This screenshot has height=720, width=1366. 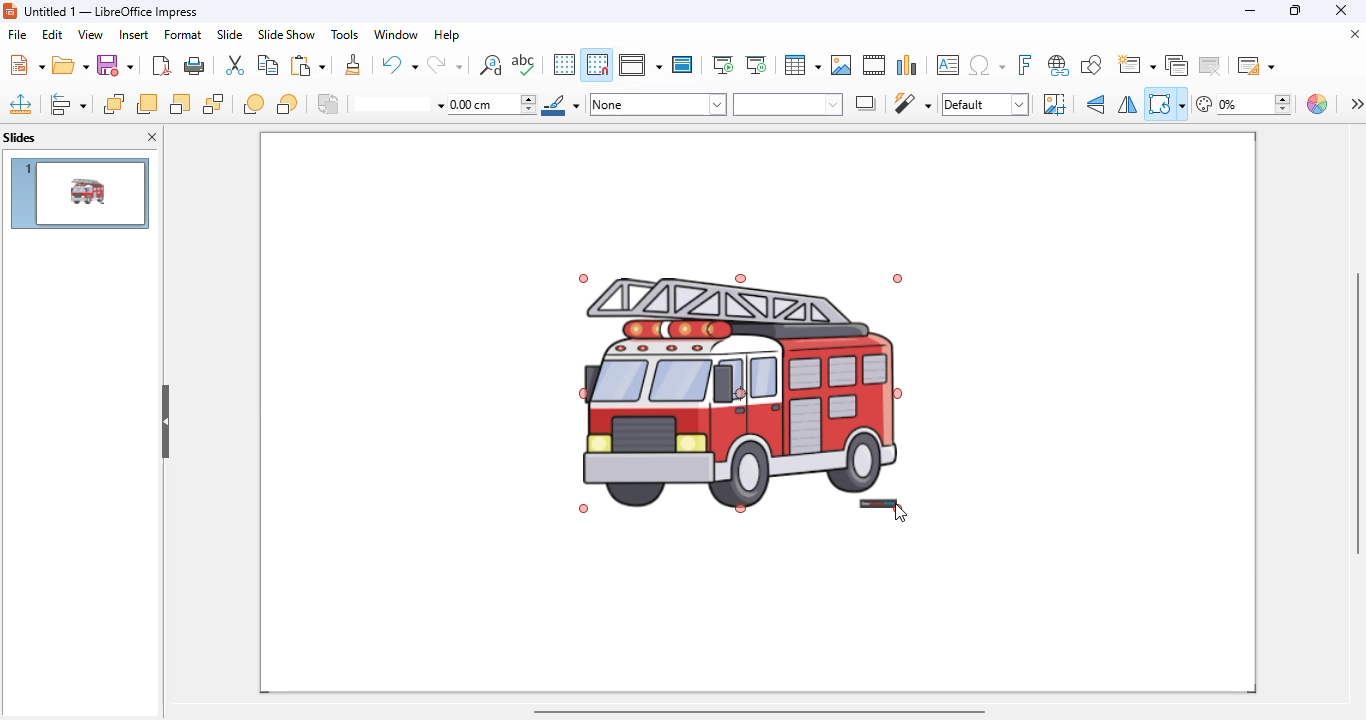 What do you see at coordinates (134, 35) in the screenshot?
I see `insert` at bounding box center [134, 35].